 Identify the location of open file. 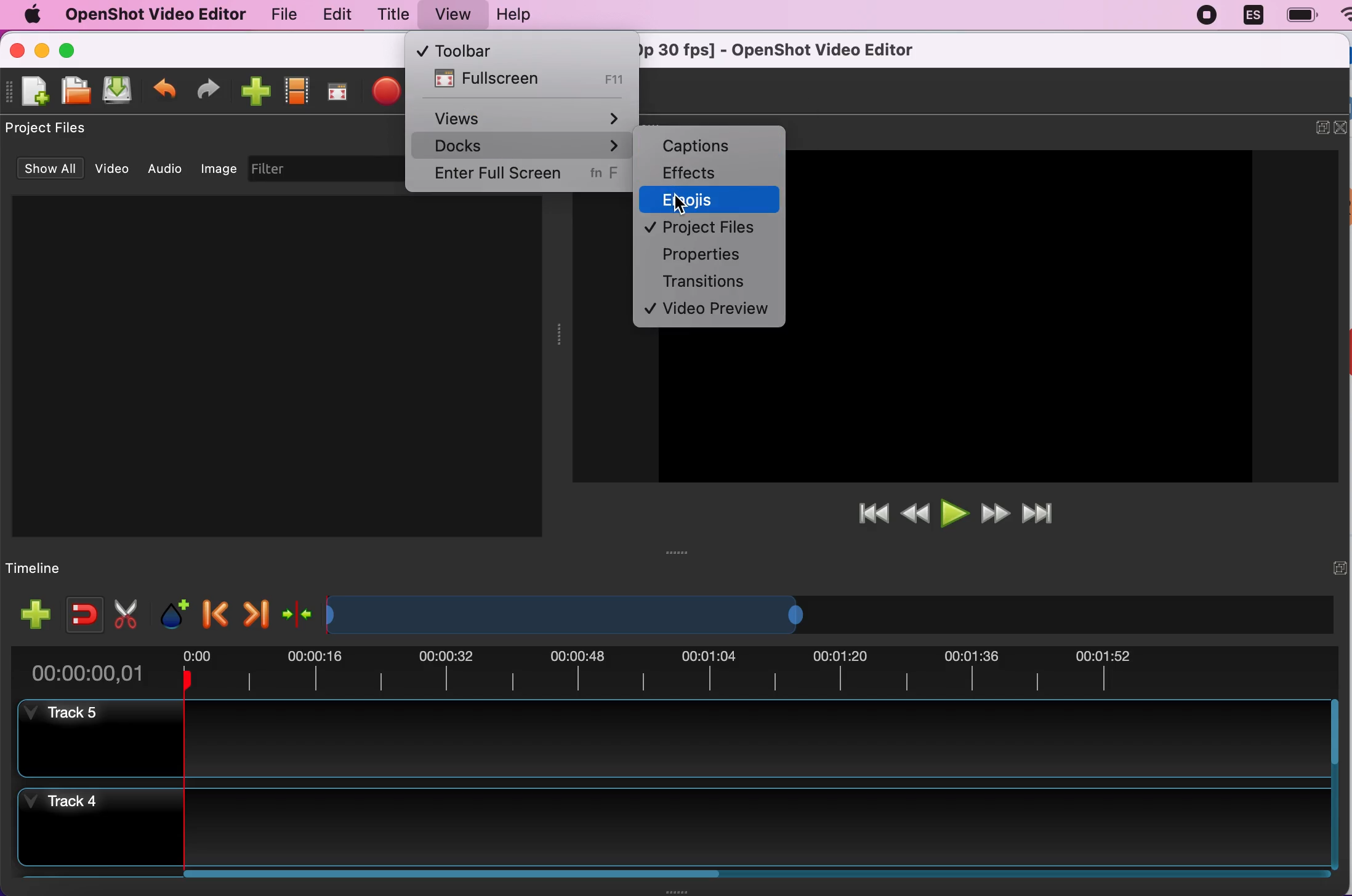
(72, 92).